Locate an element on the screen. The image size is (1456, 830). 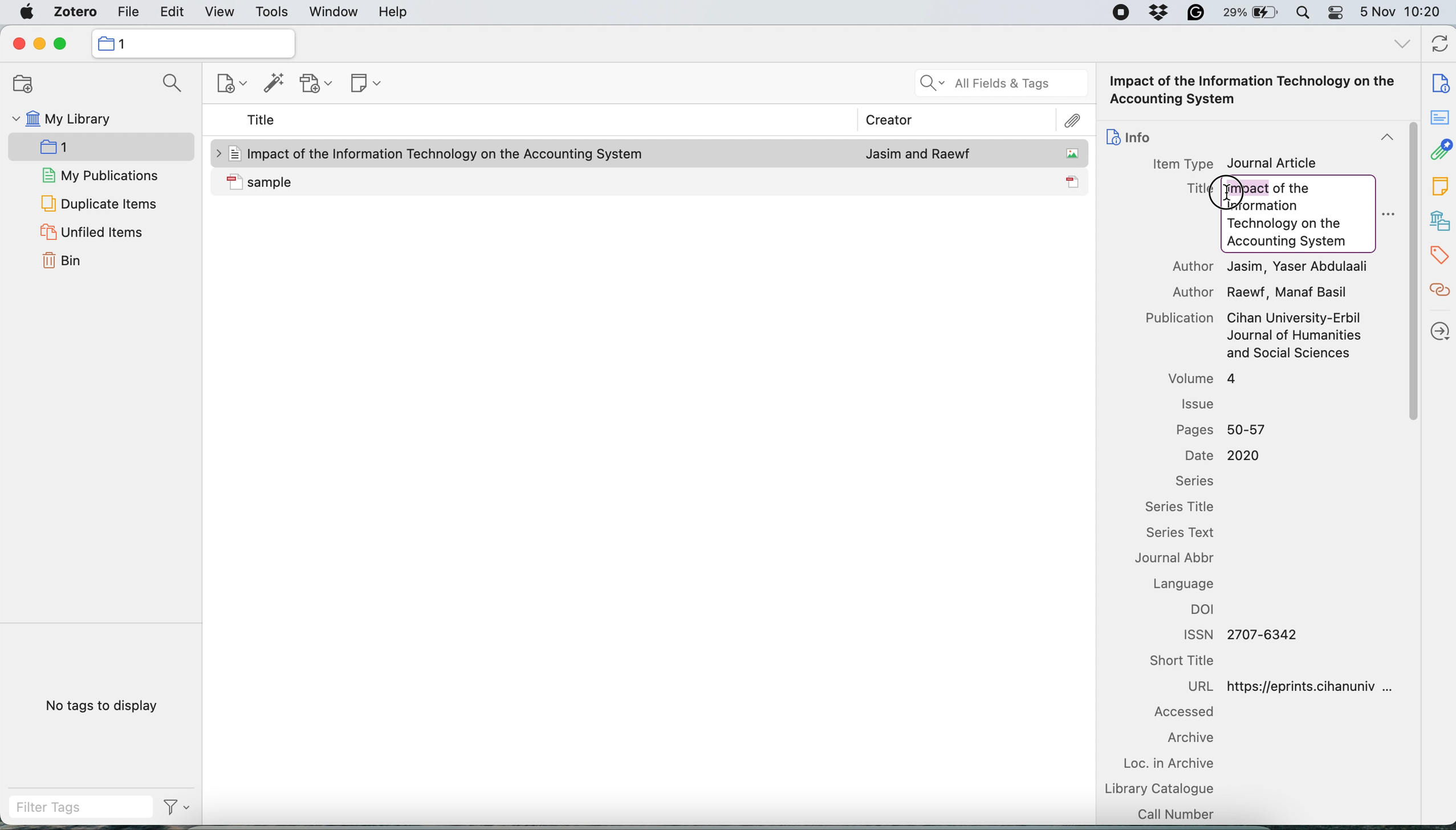
5 Nov 10:20 is located at coordinates (1401, 12).